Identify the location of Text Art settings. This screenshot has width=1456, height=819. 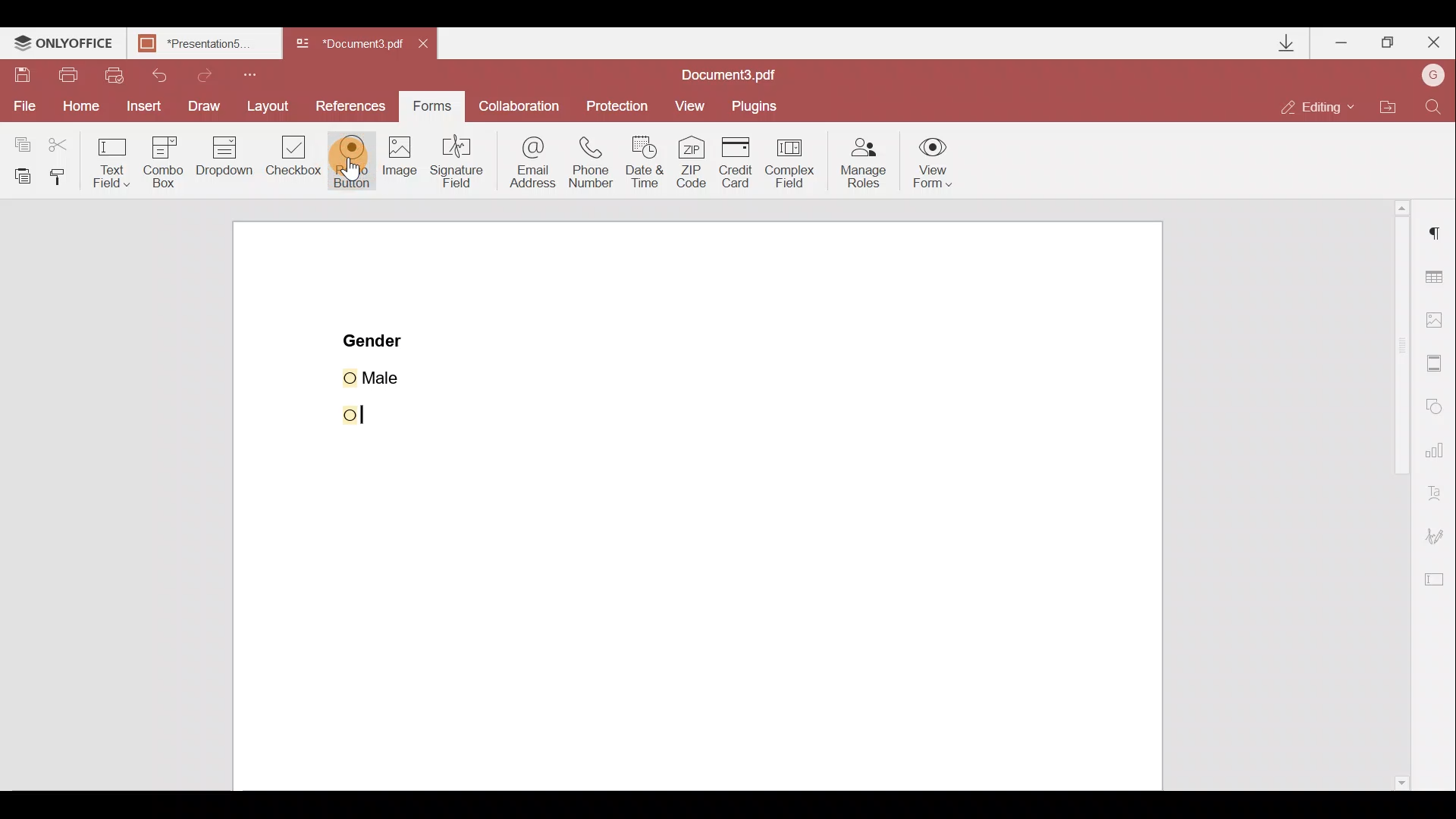
(1439, 495).